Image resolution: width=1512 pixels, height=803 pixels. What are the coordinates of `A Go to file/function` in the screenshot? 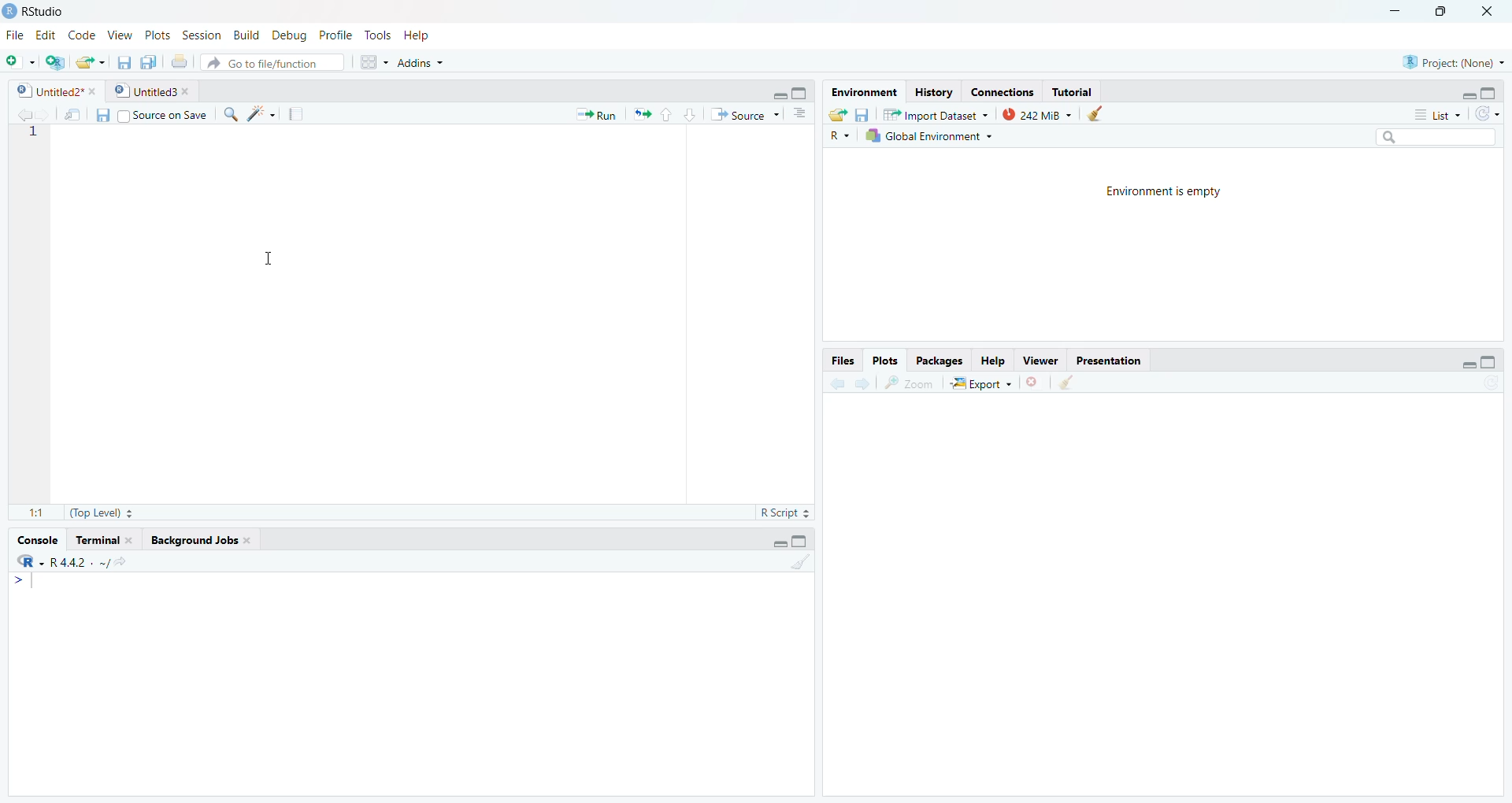 It's located at (272, 61).